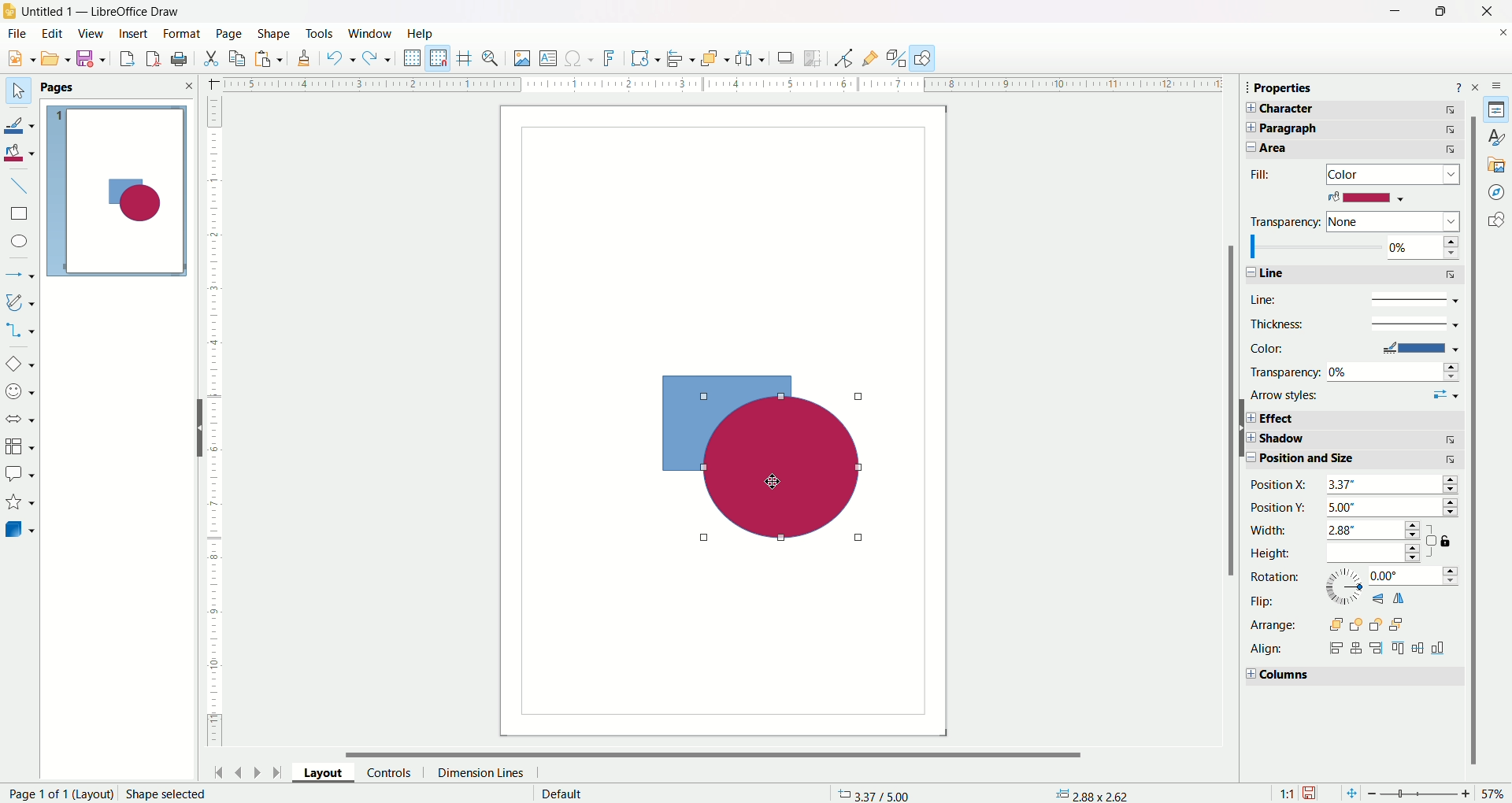  Describe the element at coordinates (24, 121) in the screenshot. I see `line color` at that location.